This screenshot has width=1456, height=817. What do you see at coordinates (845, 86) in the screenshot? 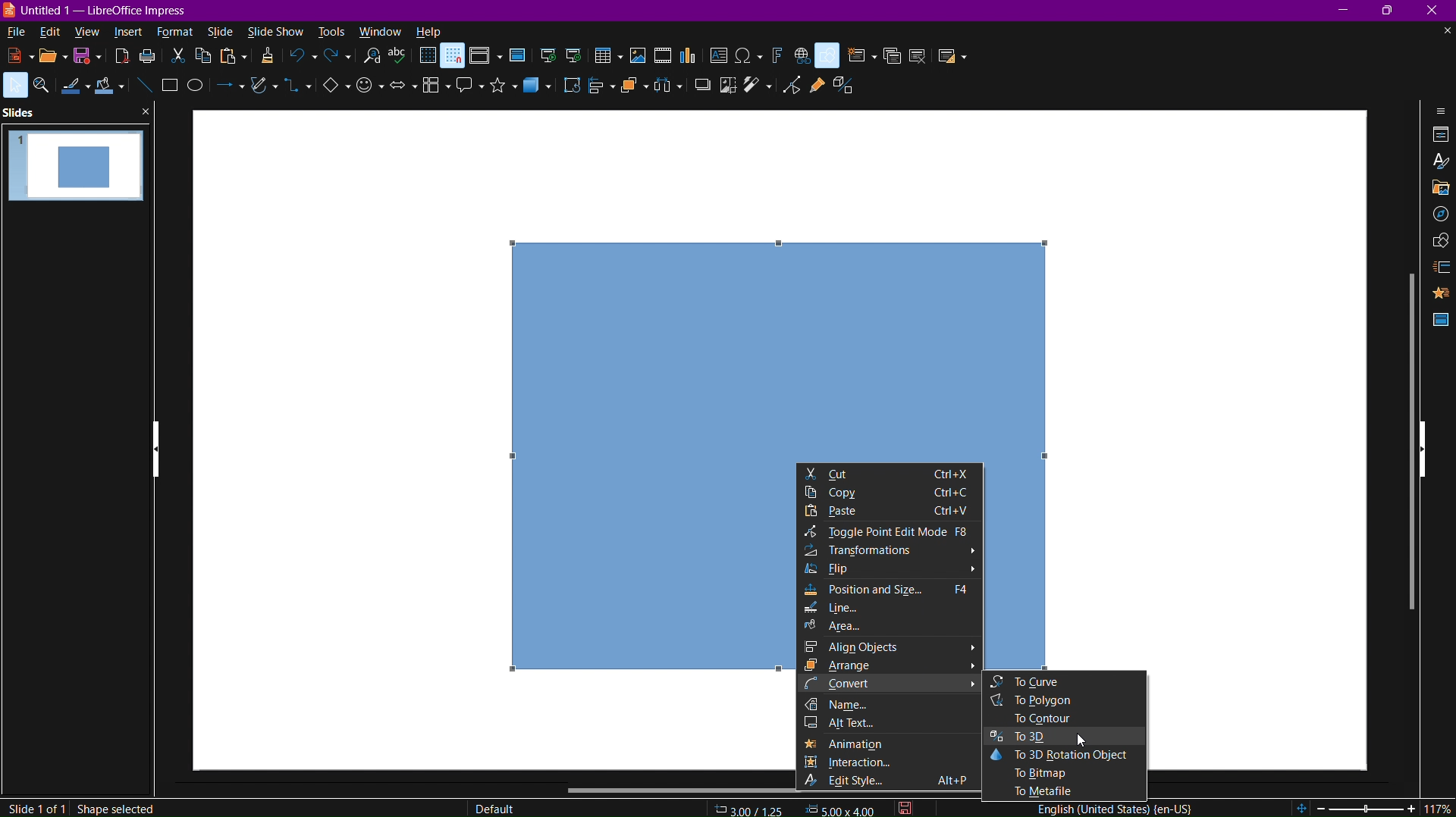
I see `Toggle Extrusion` at bounding box center [845, 86].